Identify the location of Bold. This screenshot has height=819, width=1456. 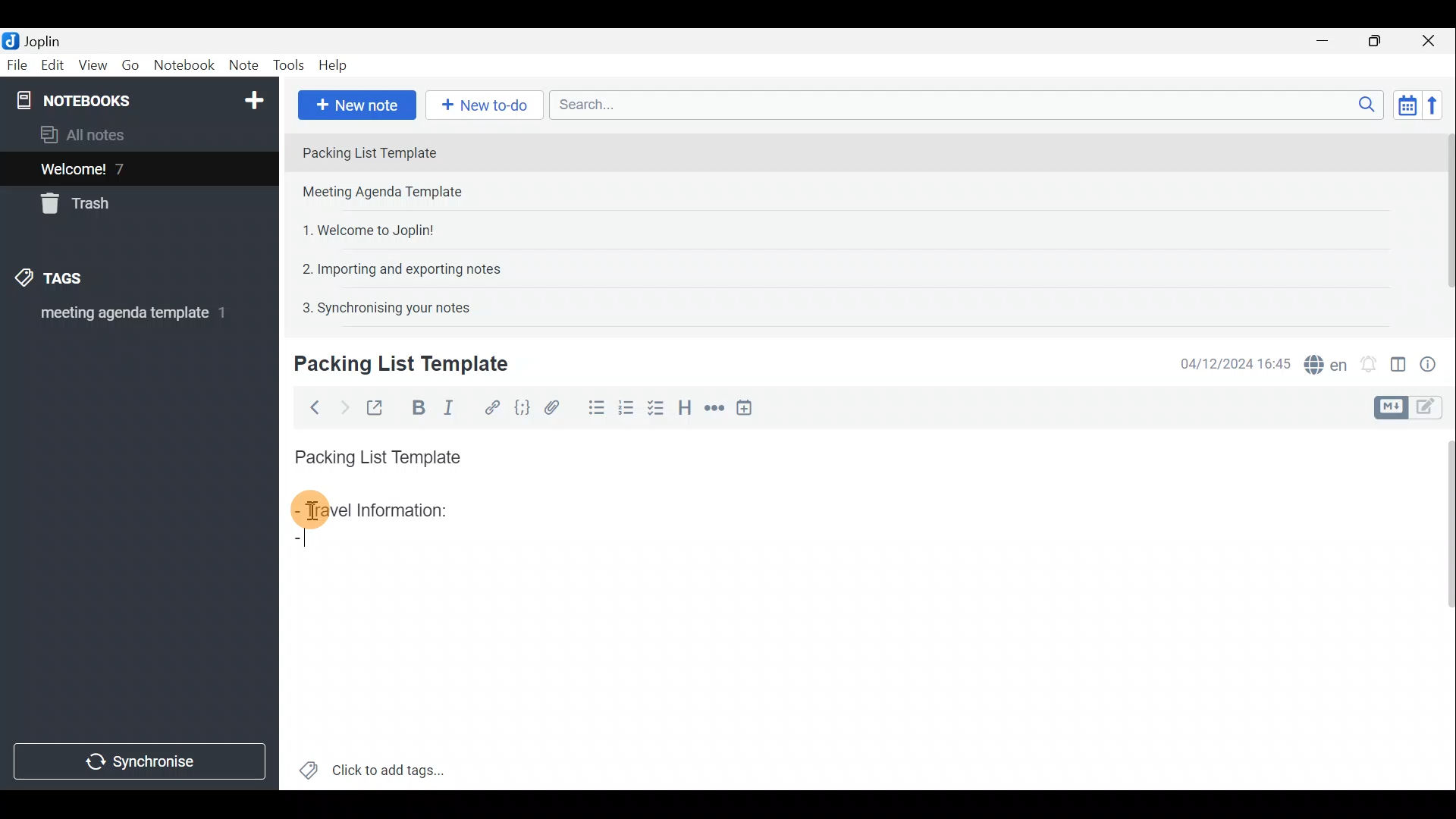
(416, 406).